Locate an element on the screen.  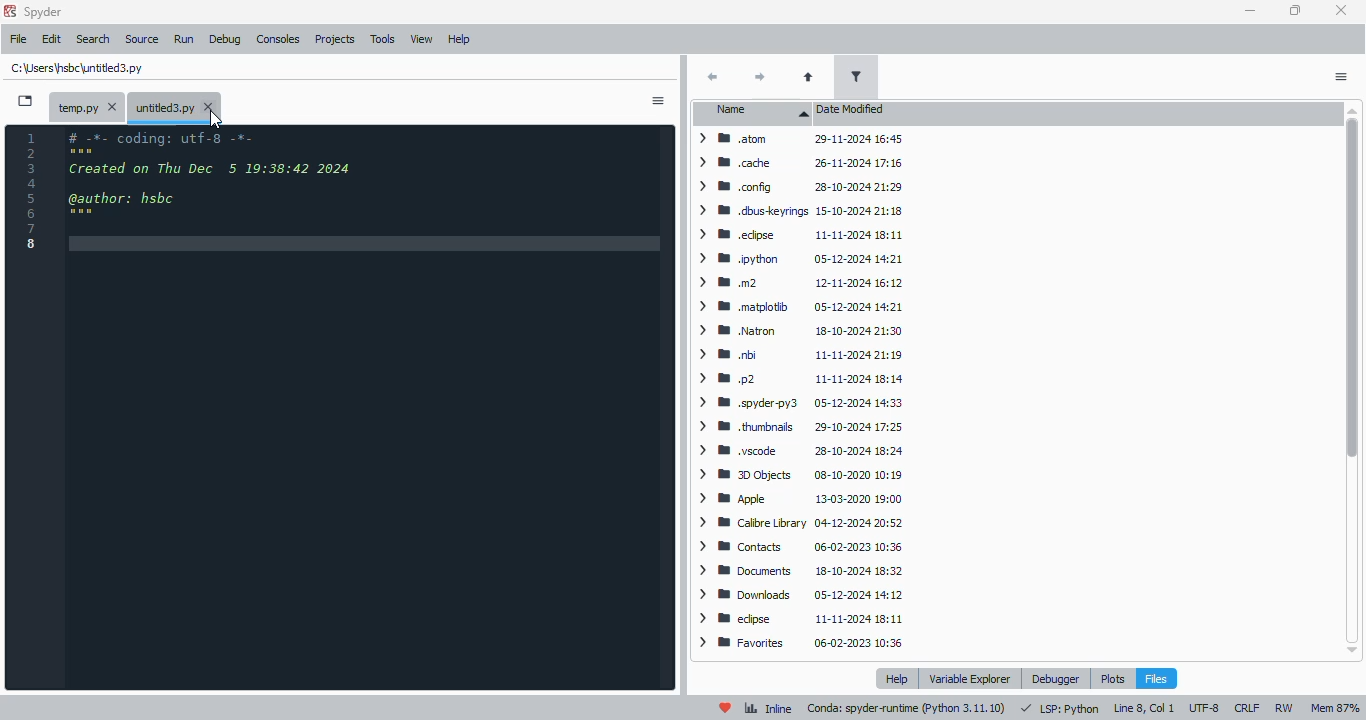
> BB .dbuskevrings 15-10-2024 21:18 is located at coordinates (797, 209).